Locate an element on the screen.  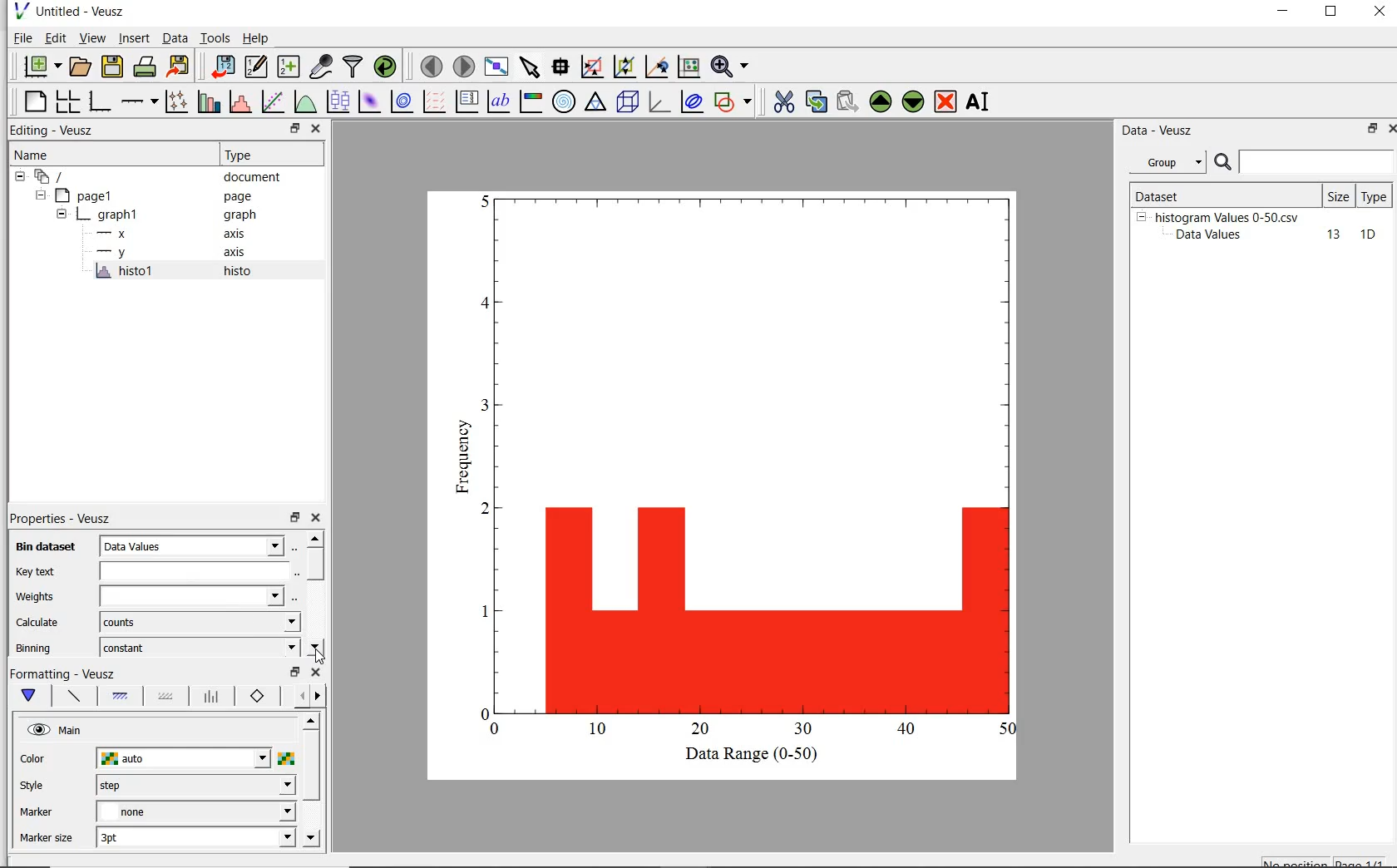
marker border is located at coordinates (258, 697).